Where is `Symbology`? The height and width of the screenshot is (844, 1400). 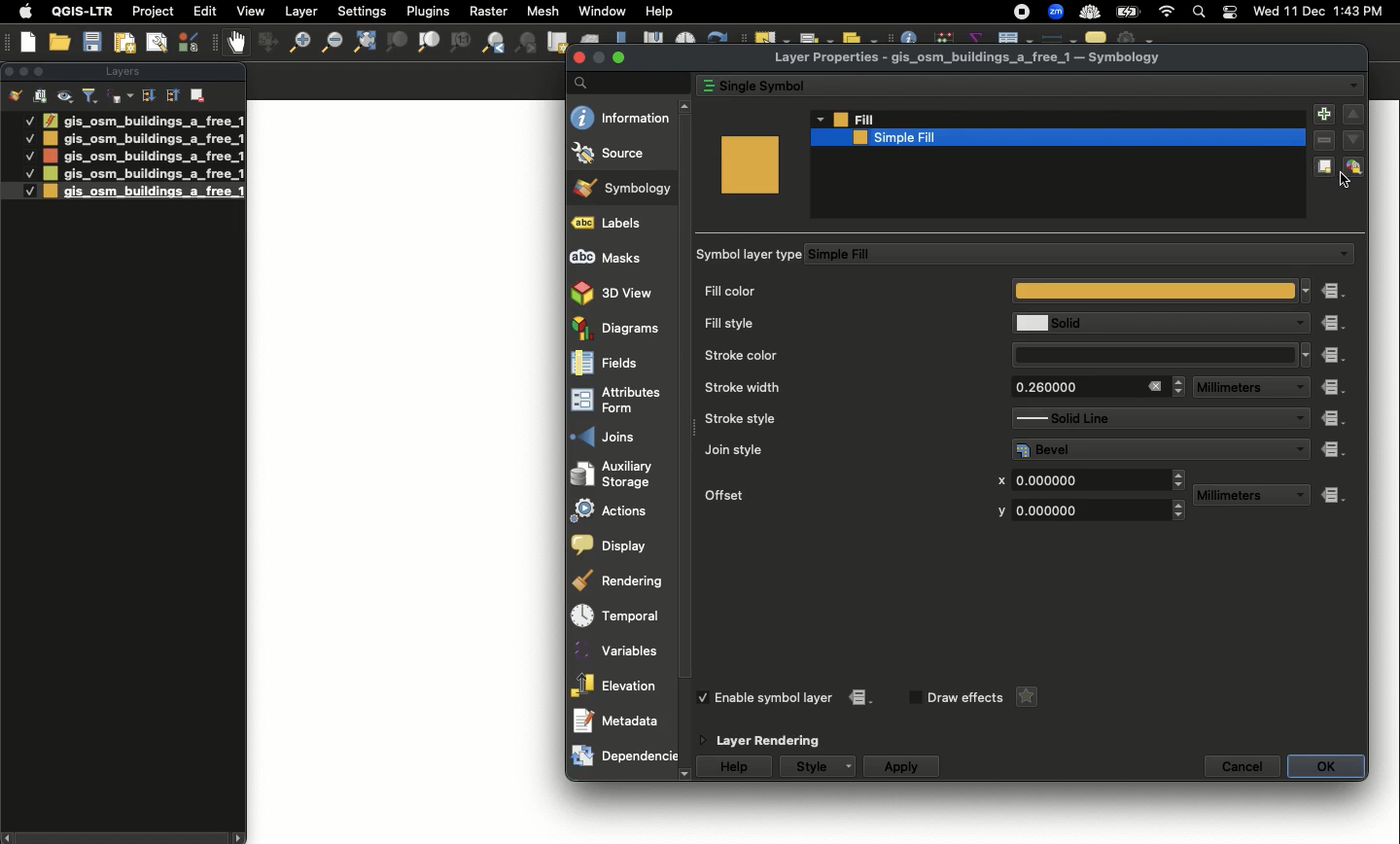 Symbology is located at coordinates (624, 188).